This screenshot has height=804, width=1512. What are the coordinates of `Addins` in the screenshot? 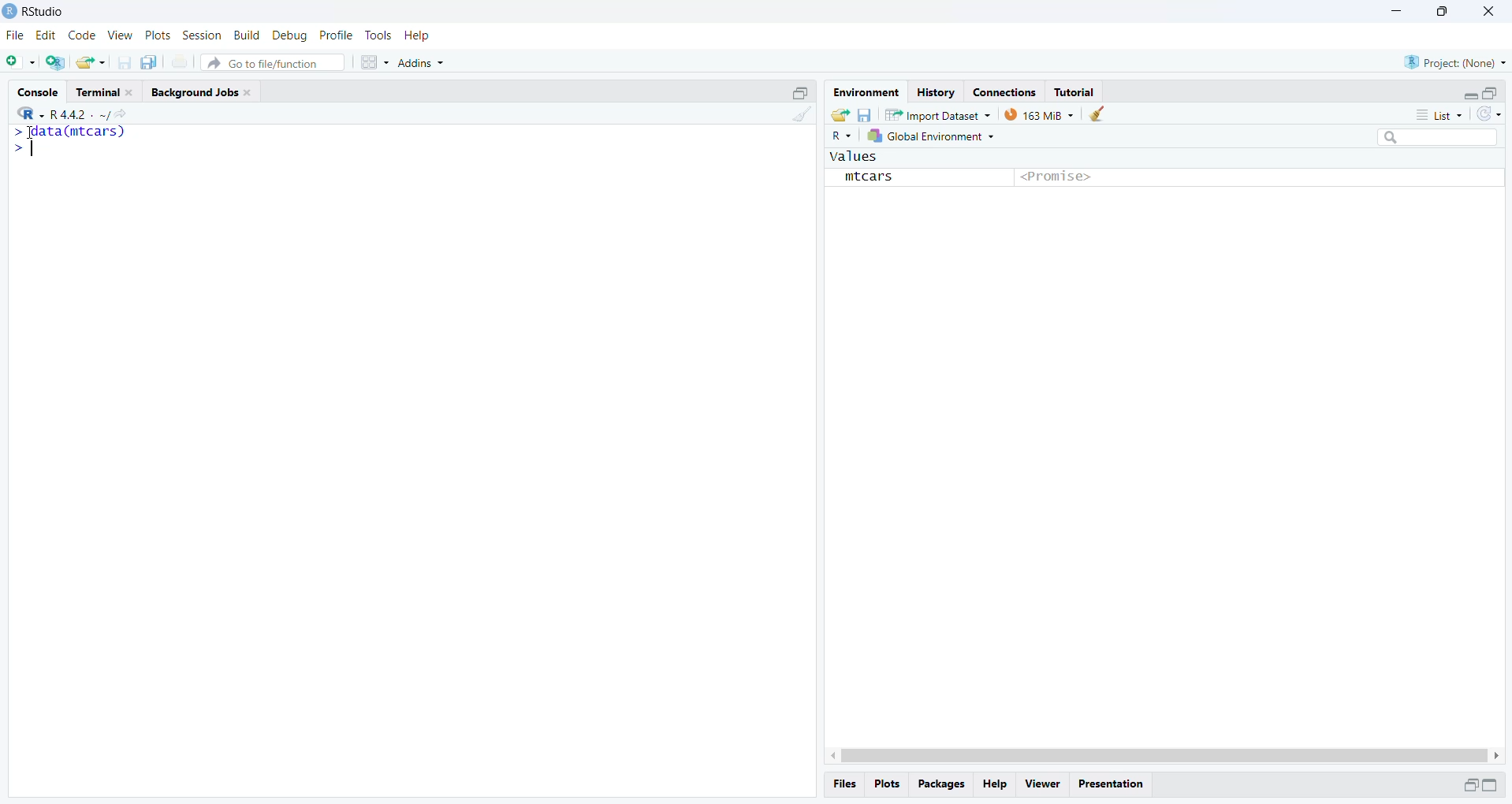 It's located at (422, 62).